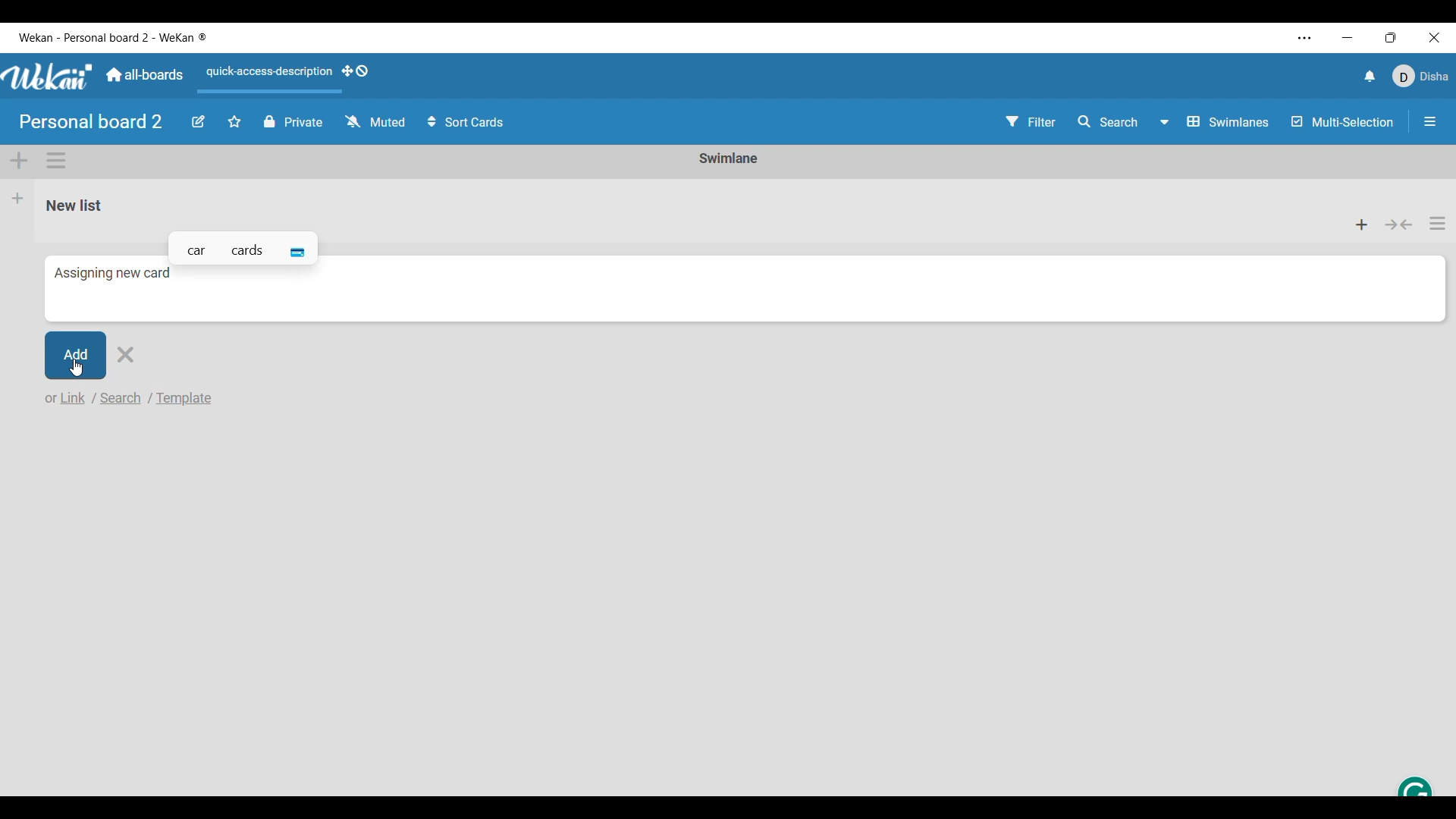 This screenshot has width=1456, height=819. Describe the element at coordinates (1370, 76) in the screenshot. I see `Notifications ` at that location.